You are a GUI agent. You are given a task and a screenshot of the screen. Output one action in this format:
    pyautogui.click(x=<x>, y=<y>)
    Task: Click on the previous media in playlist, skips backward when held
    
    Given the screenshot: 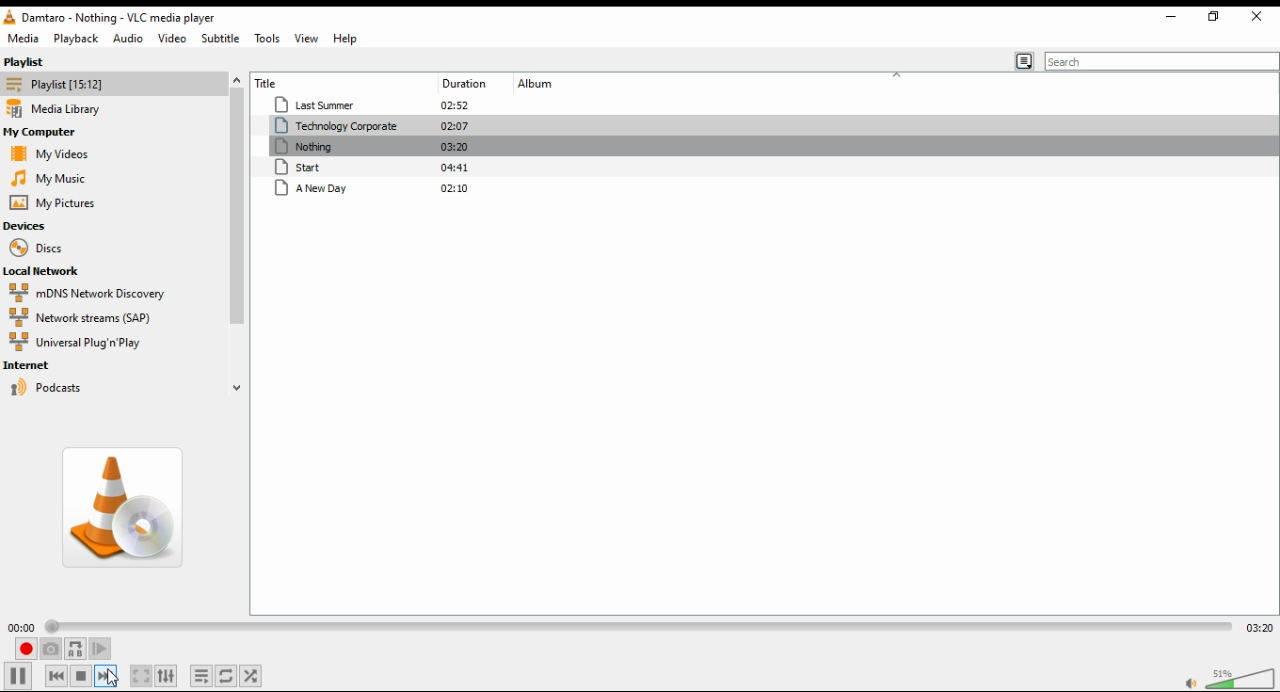 What is the action you would take?
    pyautogui.click(x=54, y=676)
    